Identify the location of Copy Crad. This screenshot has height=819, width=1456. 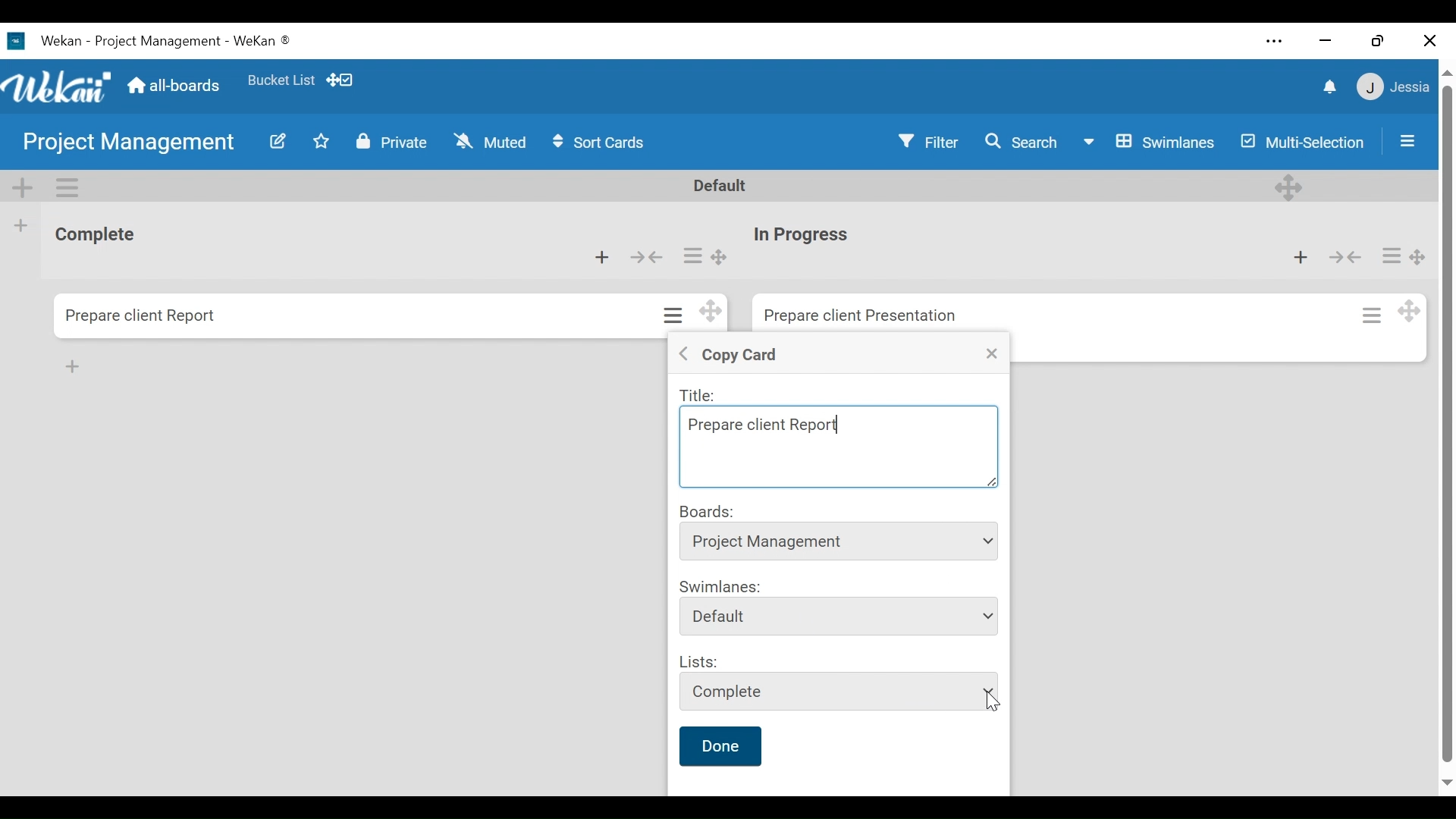
(748, 353).